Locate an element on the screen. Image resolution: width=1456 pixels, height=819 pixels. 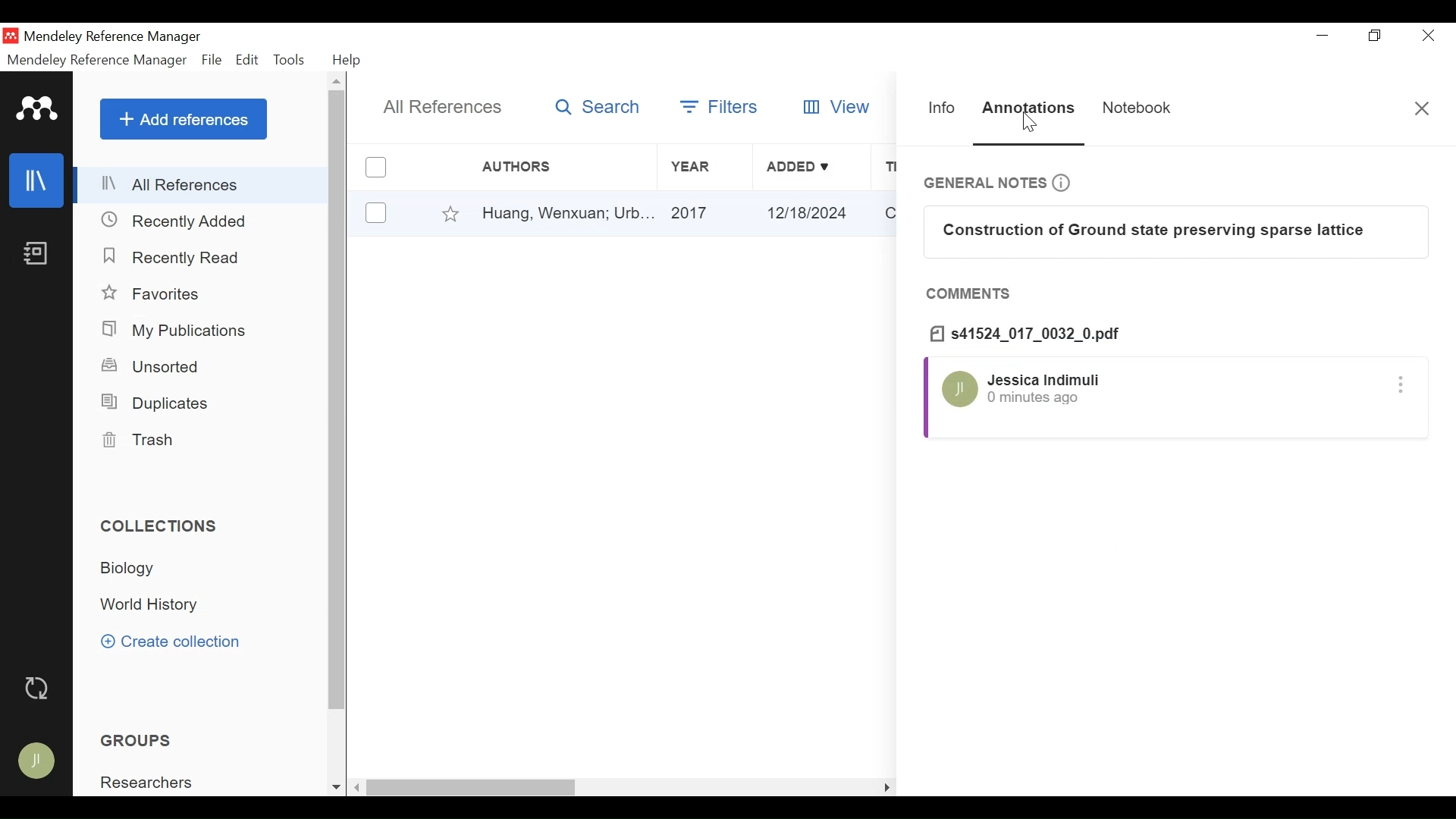
minimize is located at coordinates (1323, 36).